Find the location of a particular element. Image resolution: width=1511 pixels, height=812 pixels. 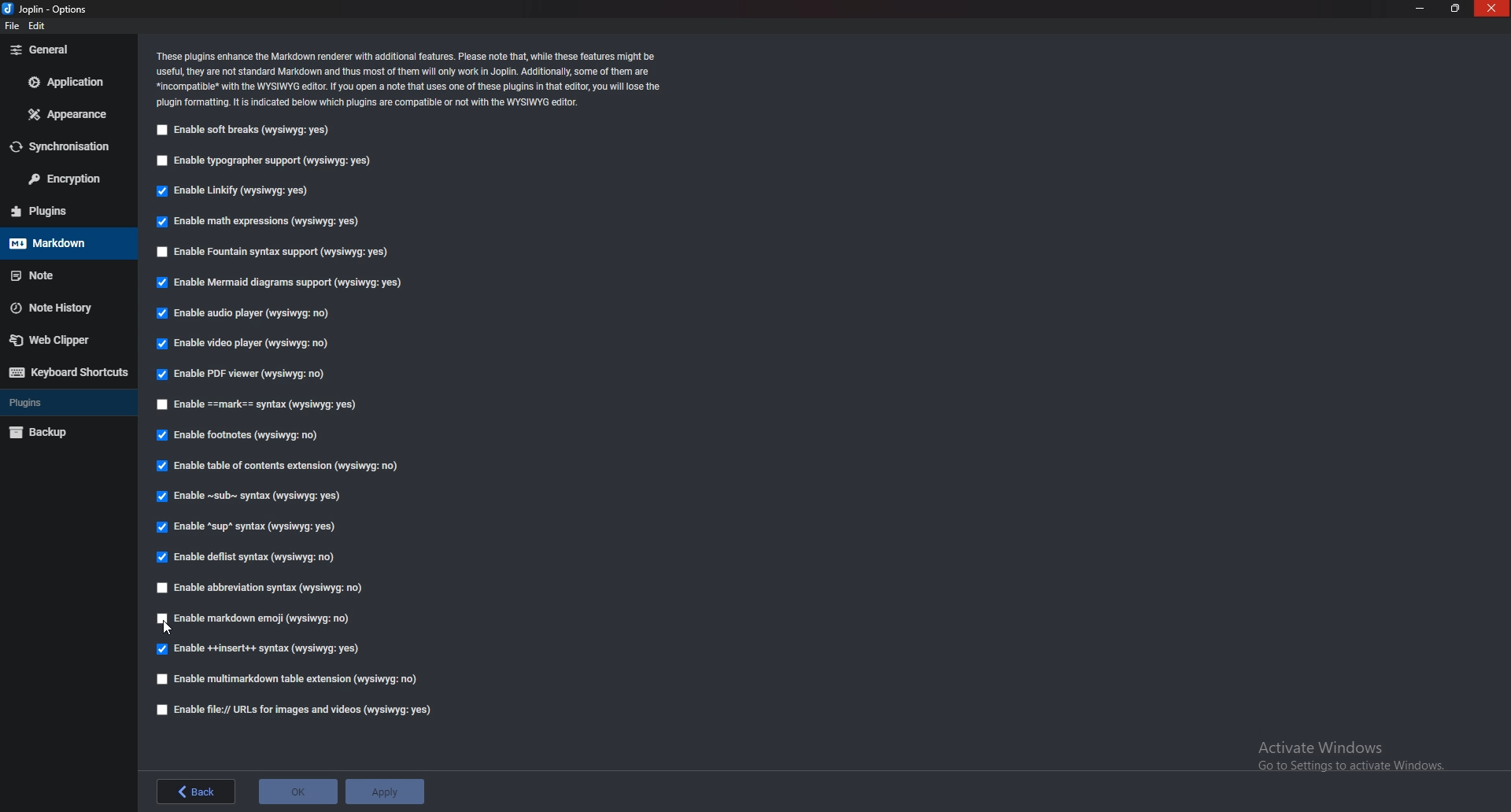

back is located at coordinates (198, 790).